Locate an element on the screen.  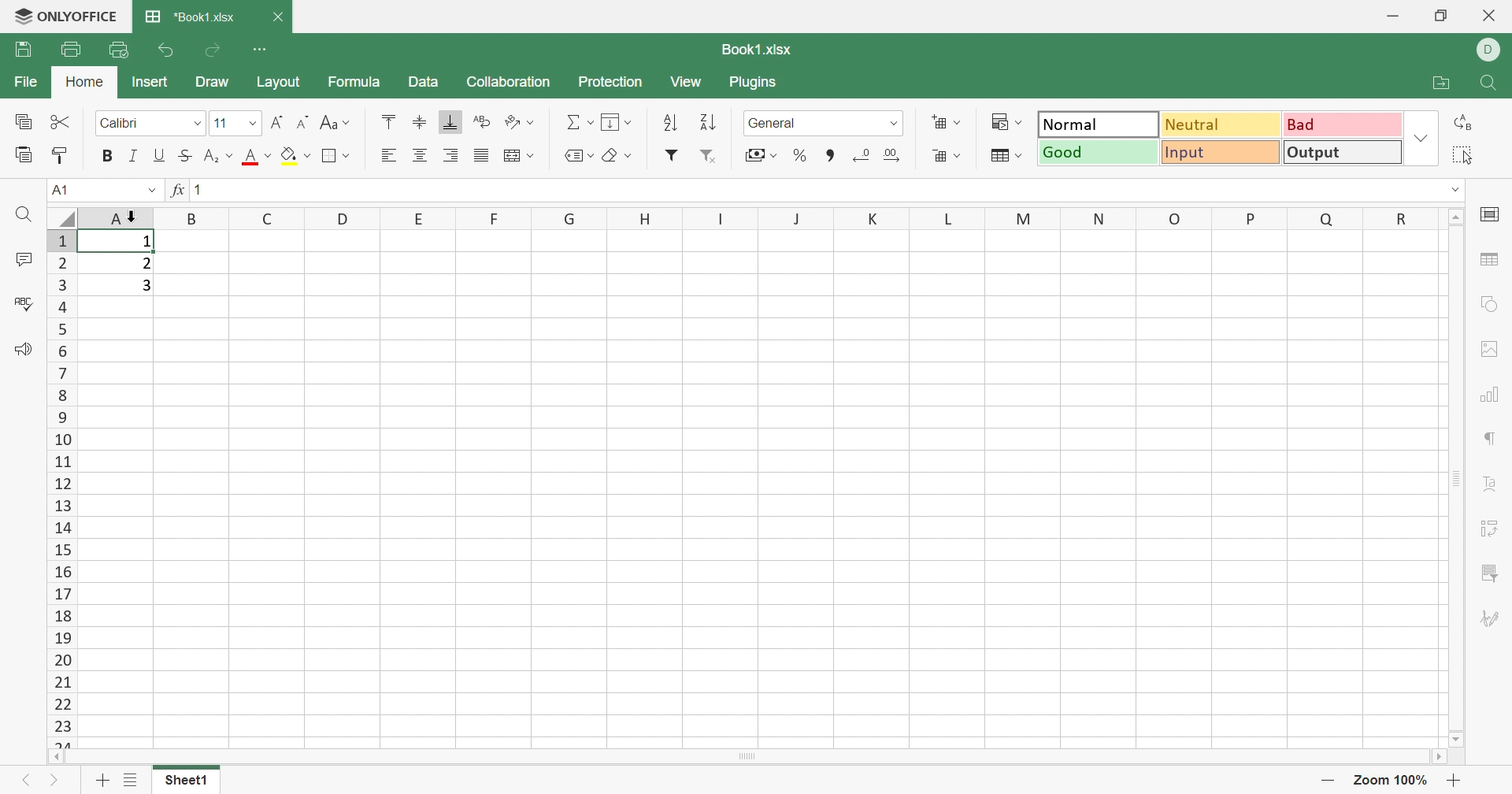
List of sheets is located at coordinates (132, 778).